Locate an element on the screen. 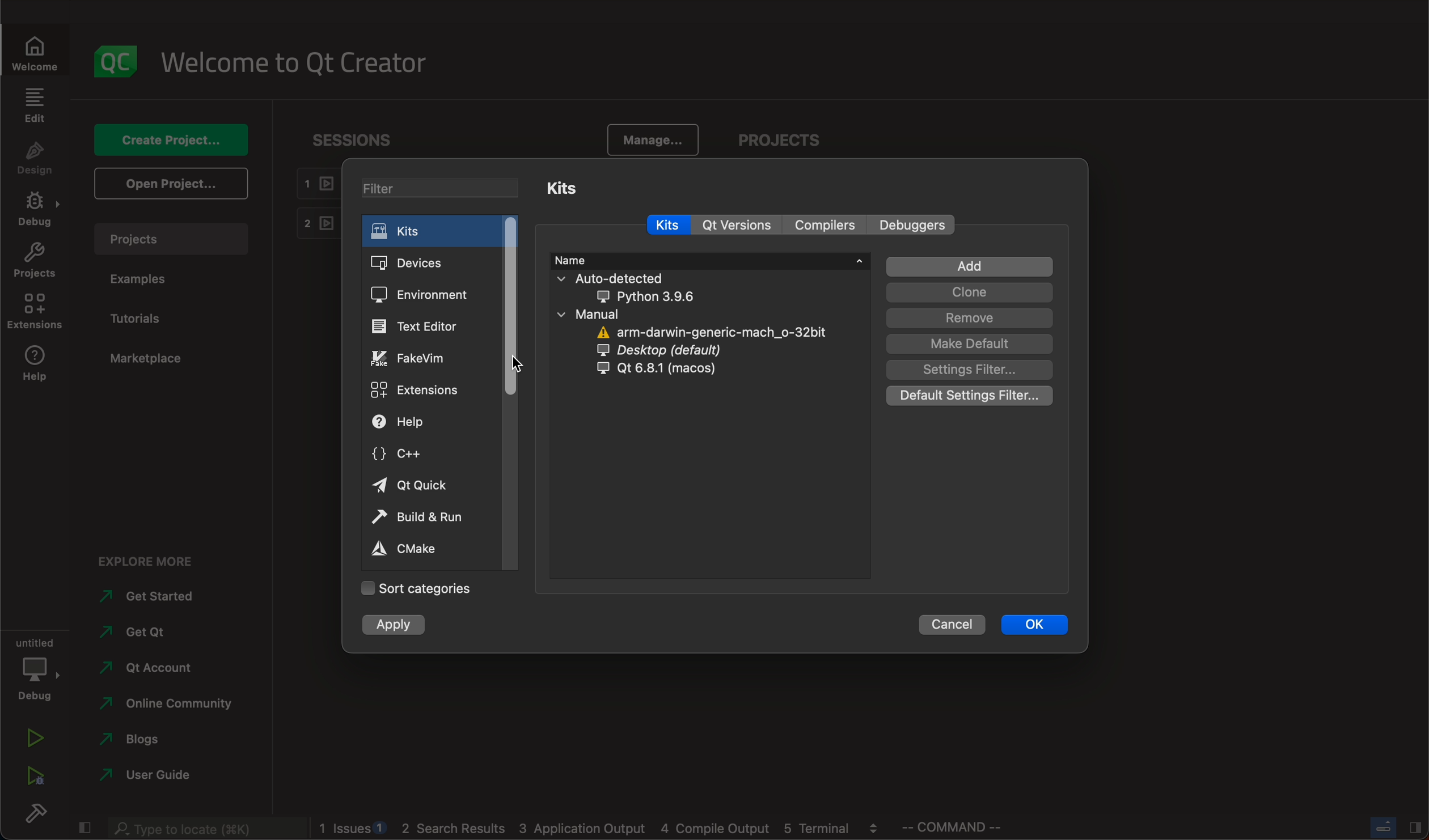 This screenshot has width=1429, height=840. search bar is located at coordinates (202, 829).